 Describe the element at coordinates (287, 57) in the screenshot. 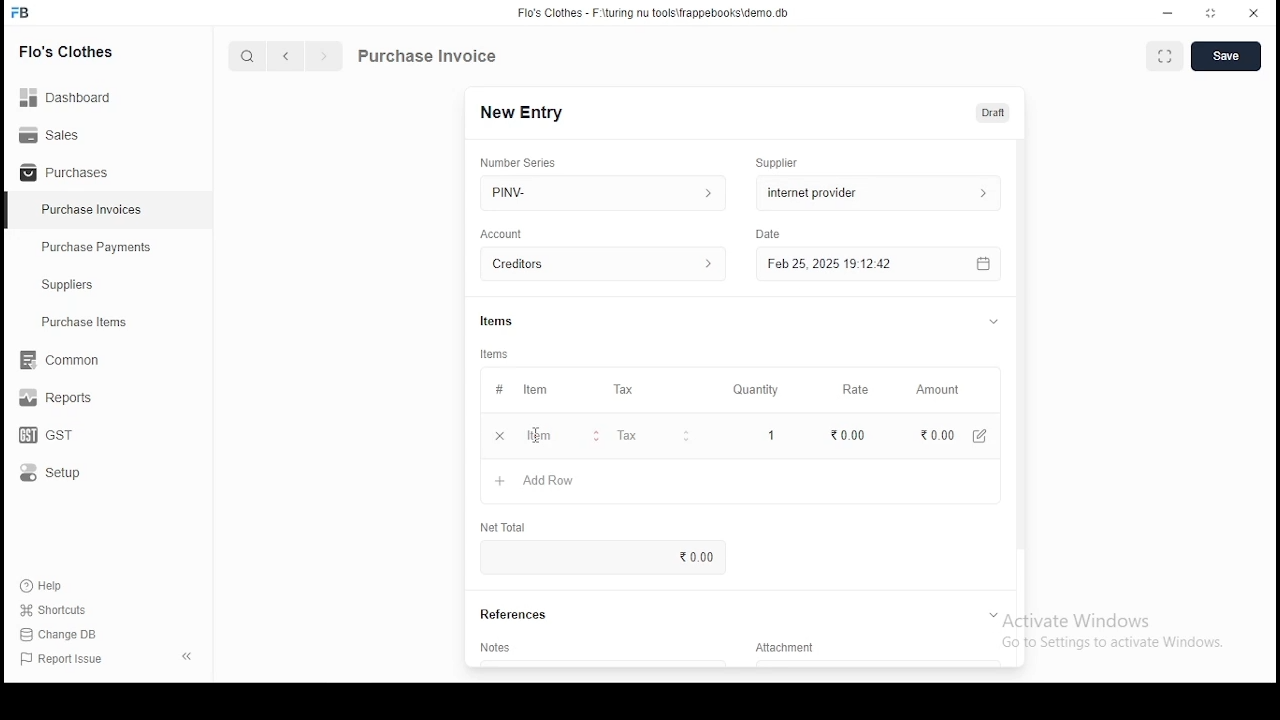

I see `previous` at that location.